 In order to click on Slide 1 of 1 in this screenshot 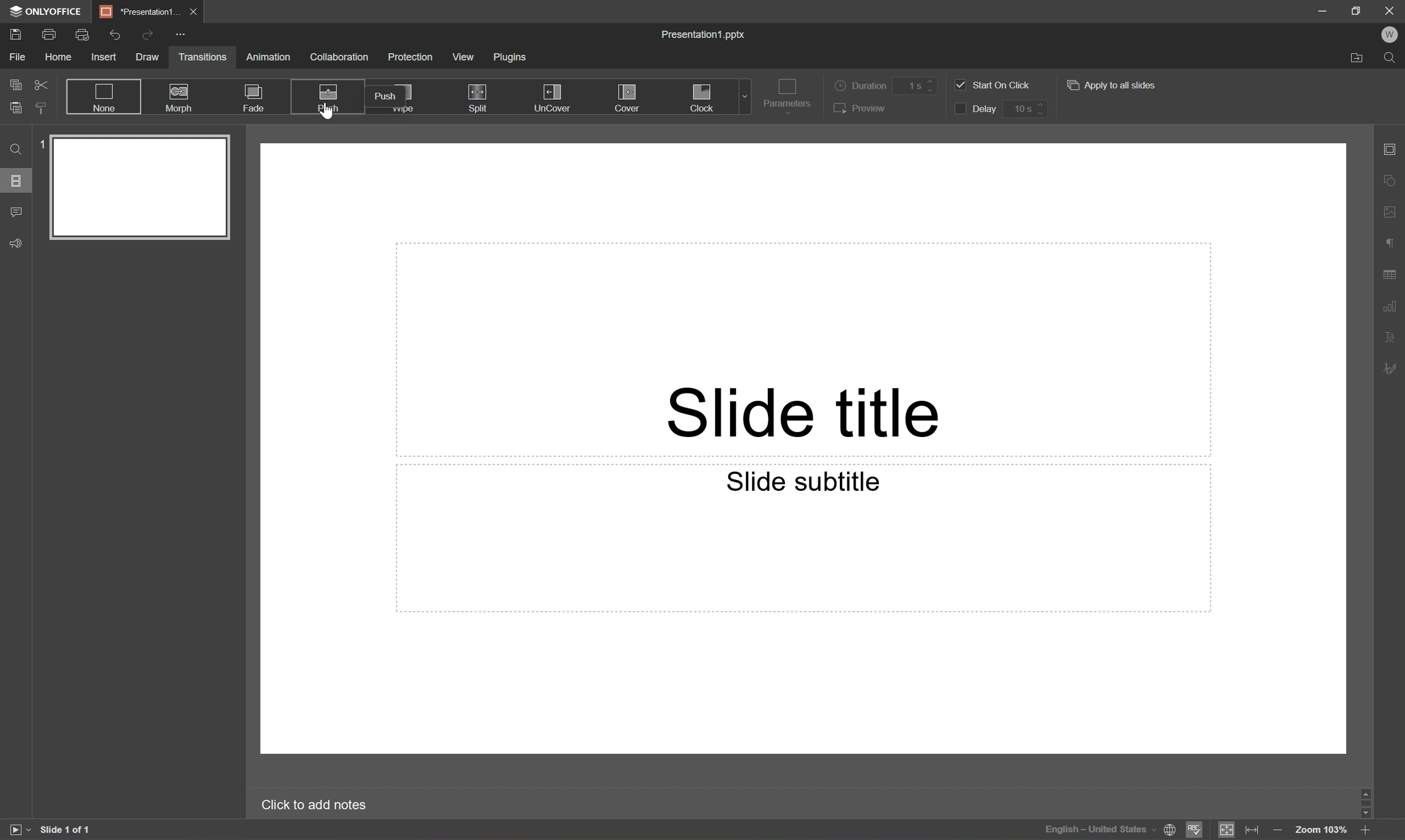, I will do `click(66, 832)`.